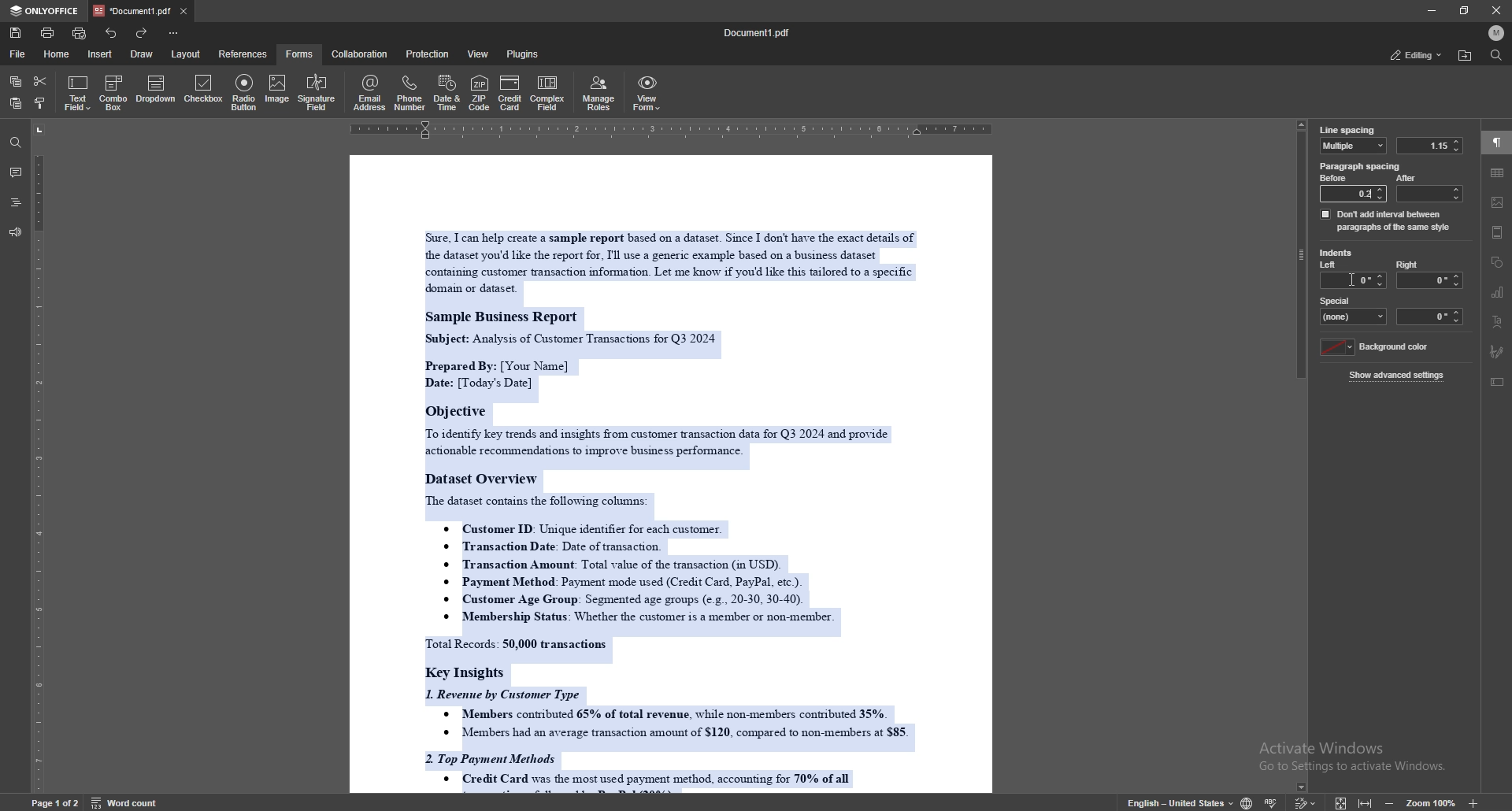 The image size is (1512, 811). Describe the element at coordinates (1180, 802) in the screenshot. I see `change text language` at that location.